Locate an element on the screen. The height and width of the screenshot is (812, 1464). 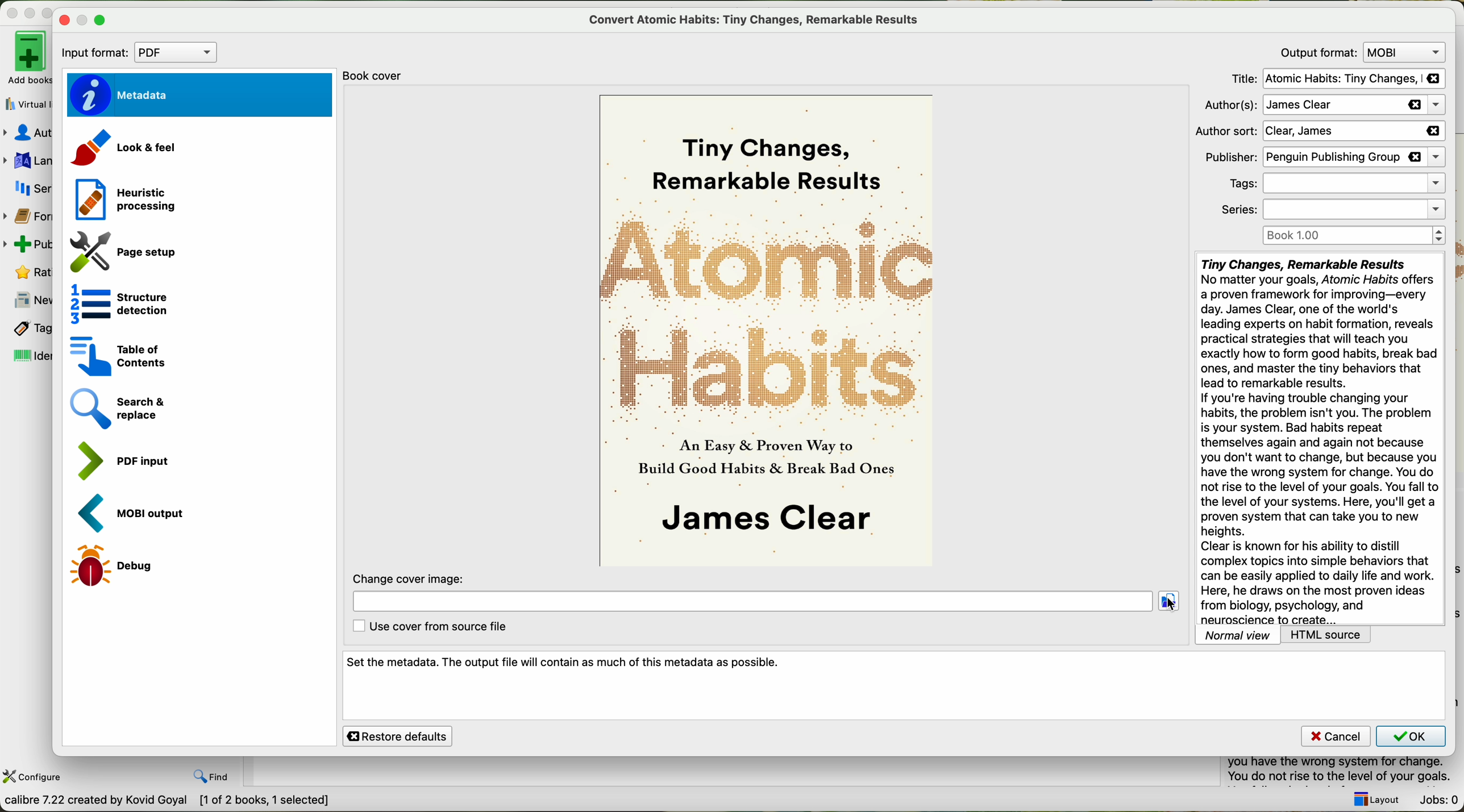
OK is located at coordinates (1410, 735).